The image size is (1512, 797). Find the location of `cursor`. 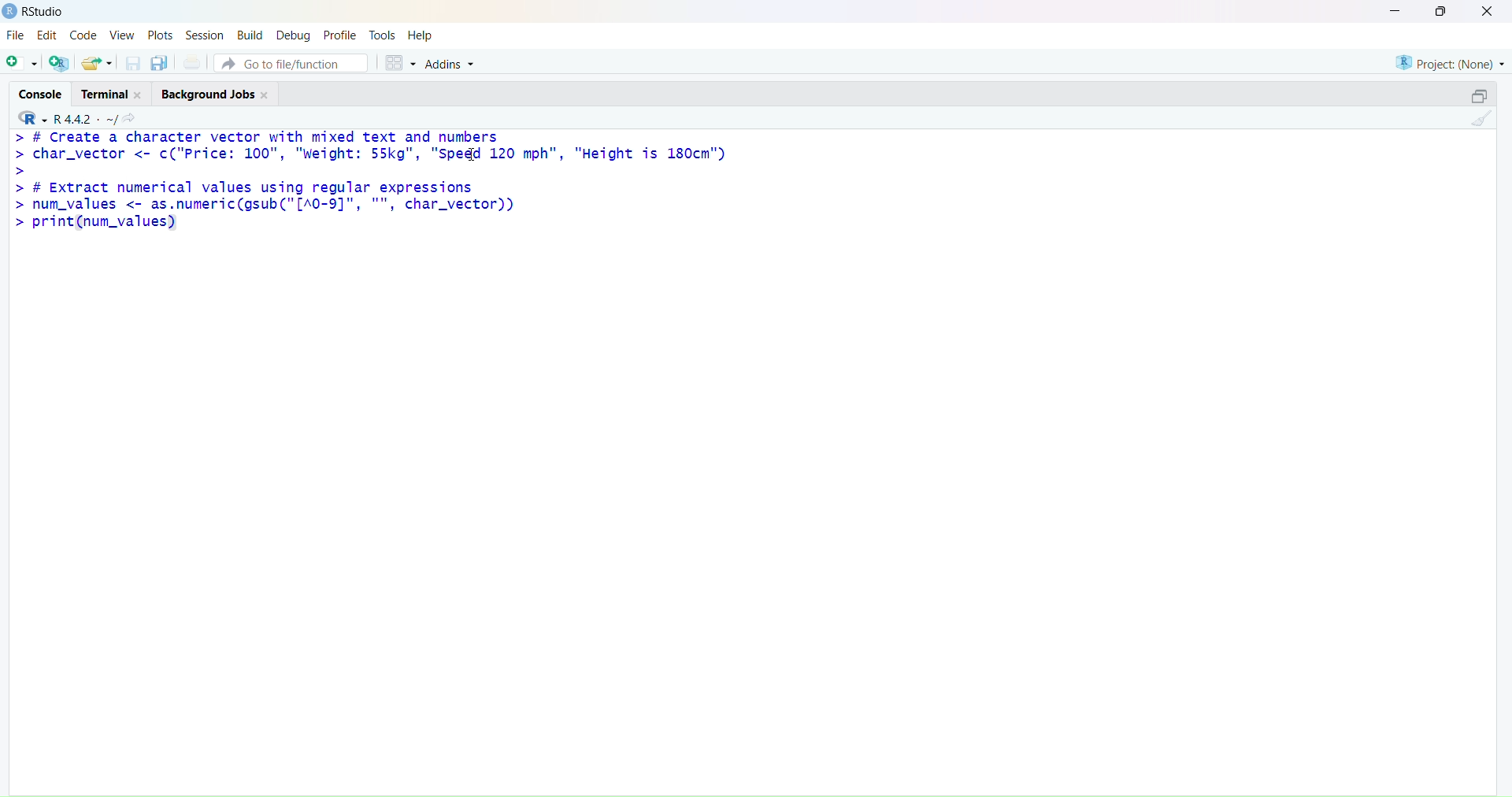

cursor is located at coordinates (475, 154).